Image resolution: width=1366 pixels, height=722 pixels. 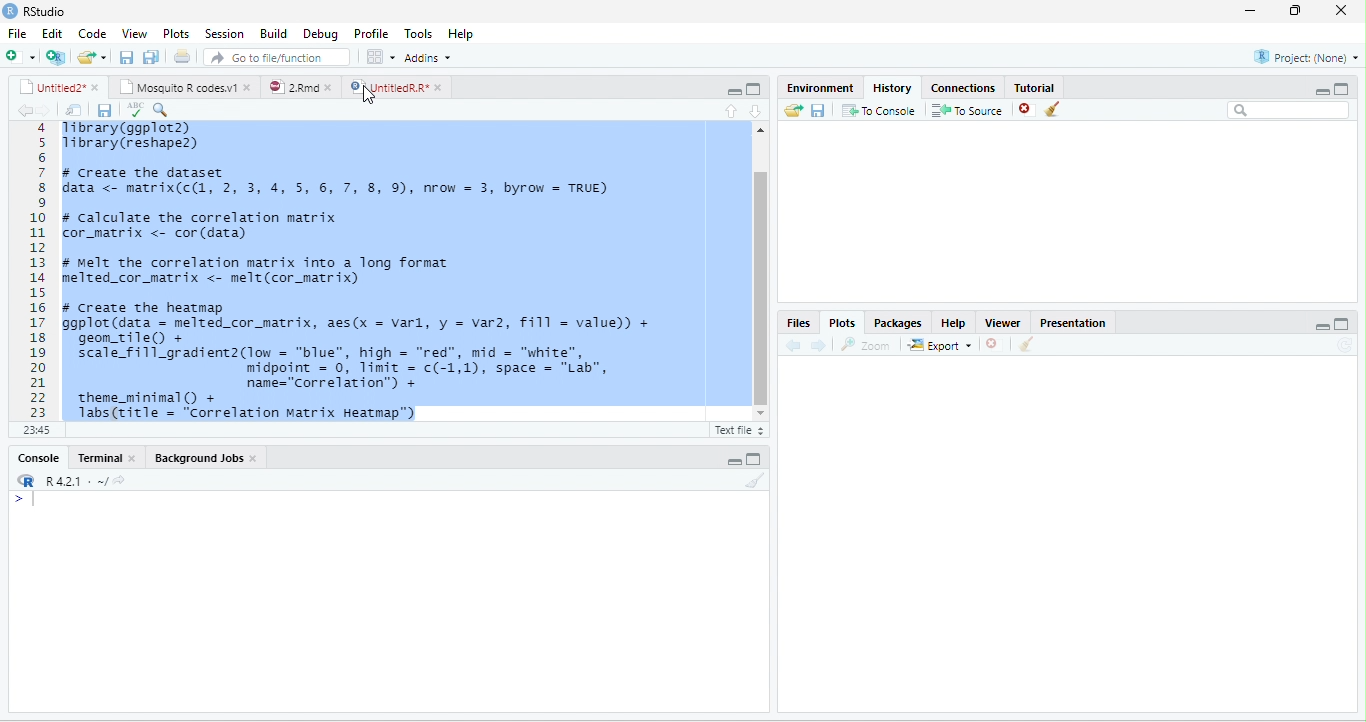 What do you see at coordinates (217, 458) in the screenshot?
I see `Backgroun jobs` at bounding box center [217, 458].